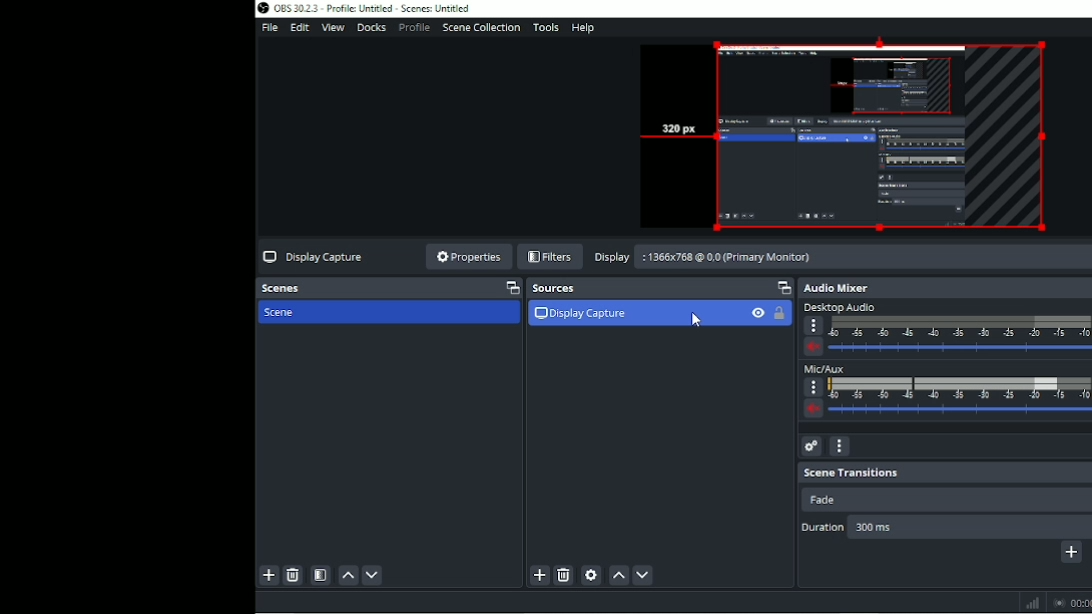 This screenshot has width=1092, height=614. I want to click on Add source, so click(539, 576).